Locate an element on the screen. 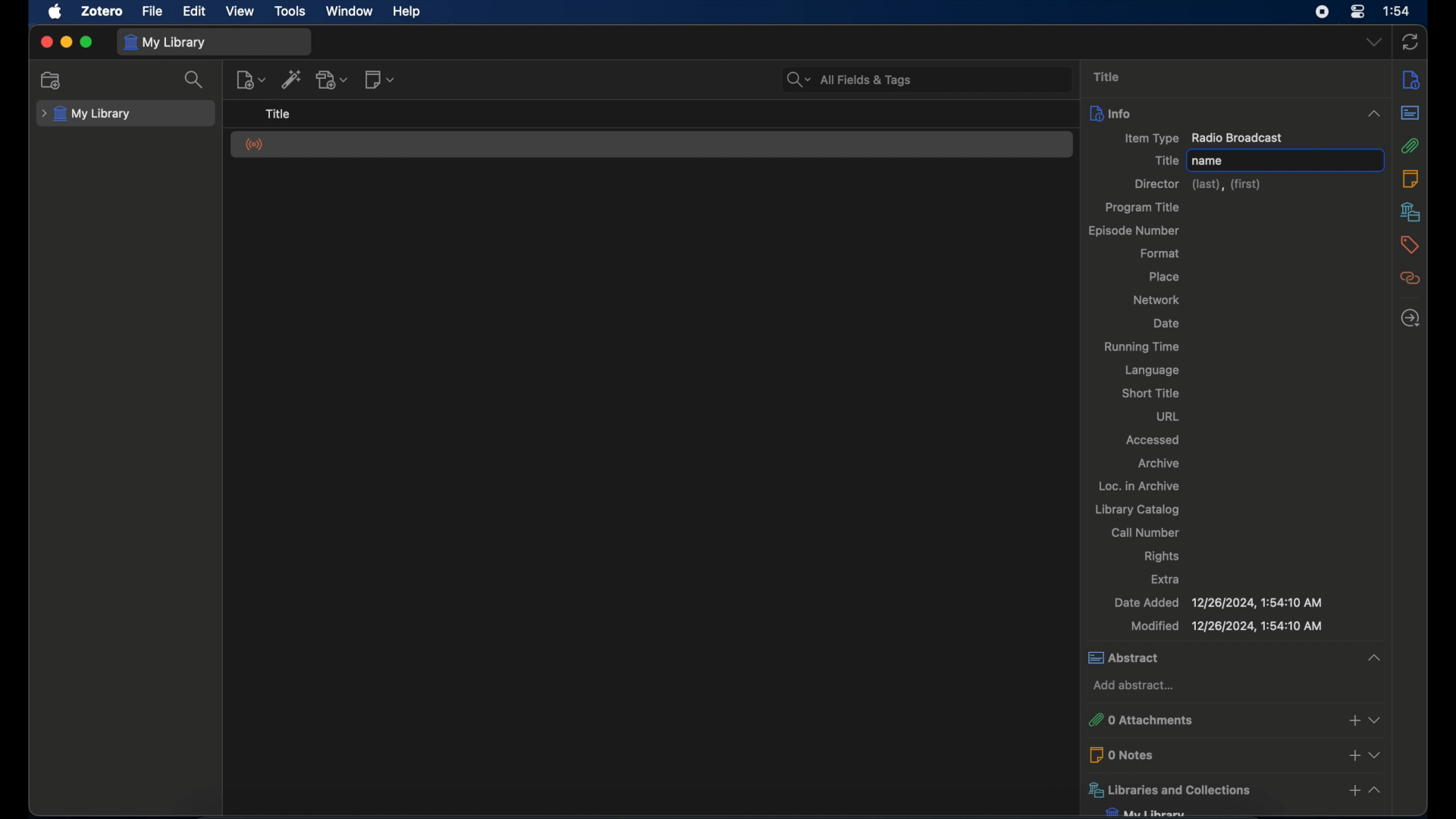 This screenshot has width=1456, height=819. locate is located at coordinates (1410, 318).